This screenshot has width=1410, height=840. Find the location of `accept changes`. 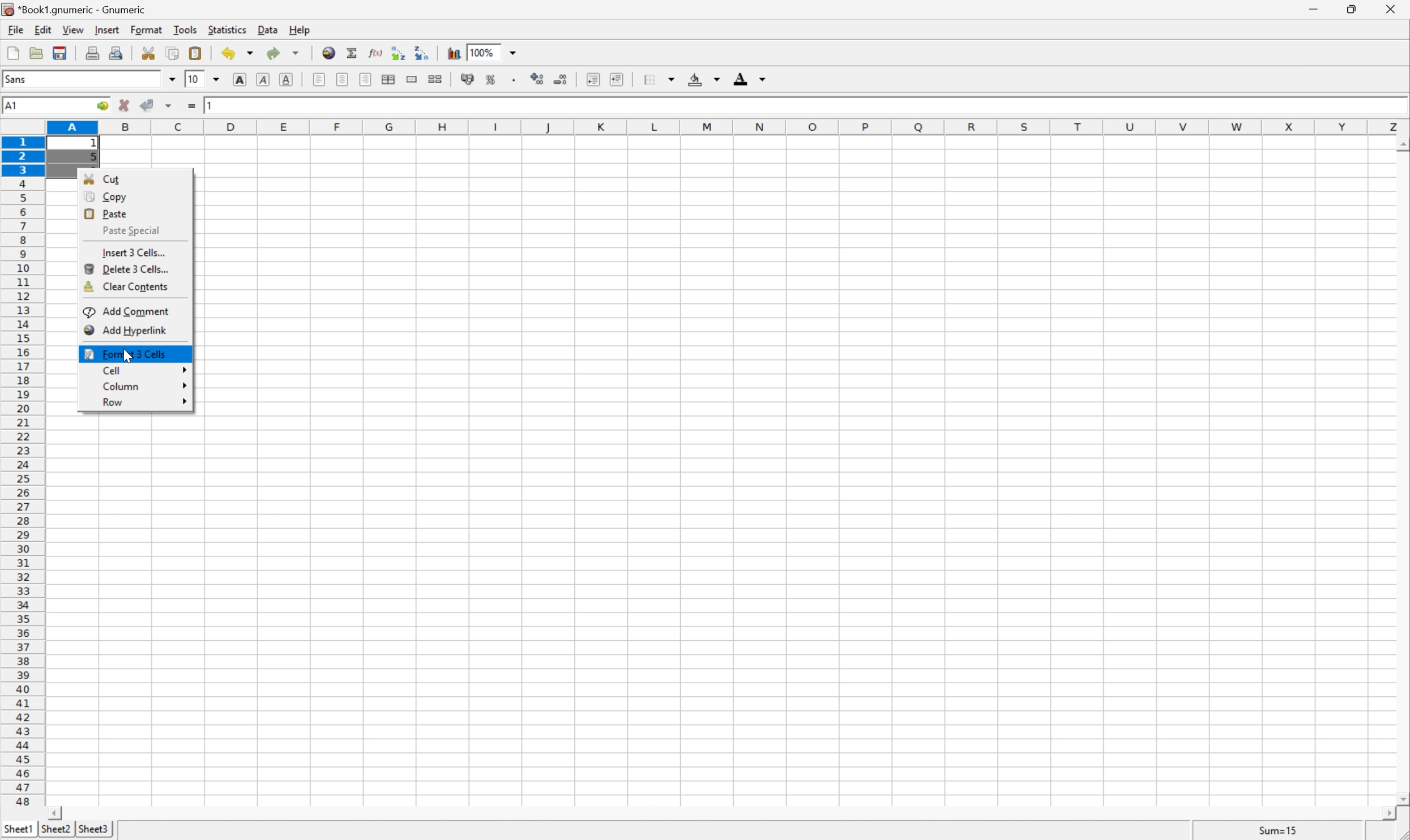

accept changes is located at coordinates (148, 104).